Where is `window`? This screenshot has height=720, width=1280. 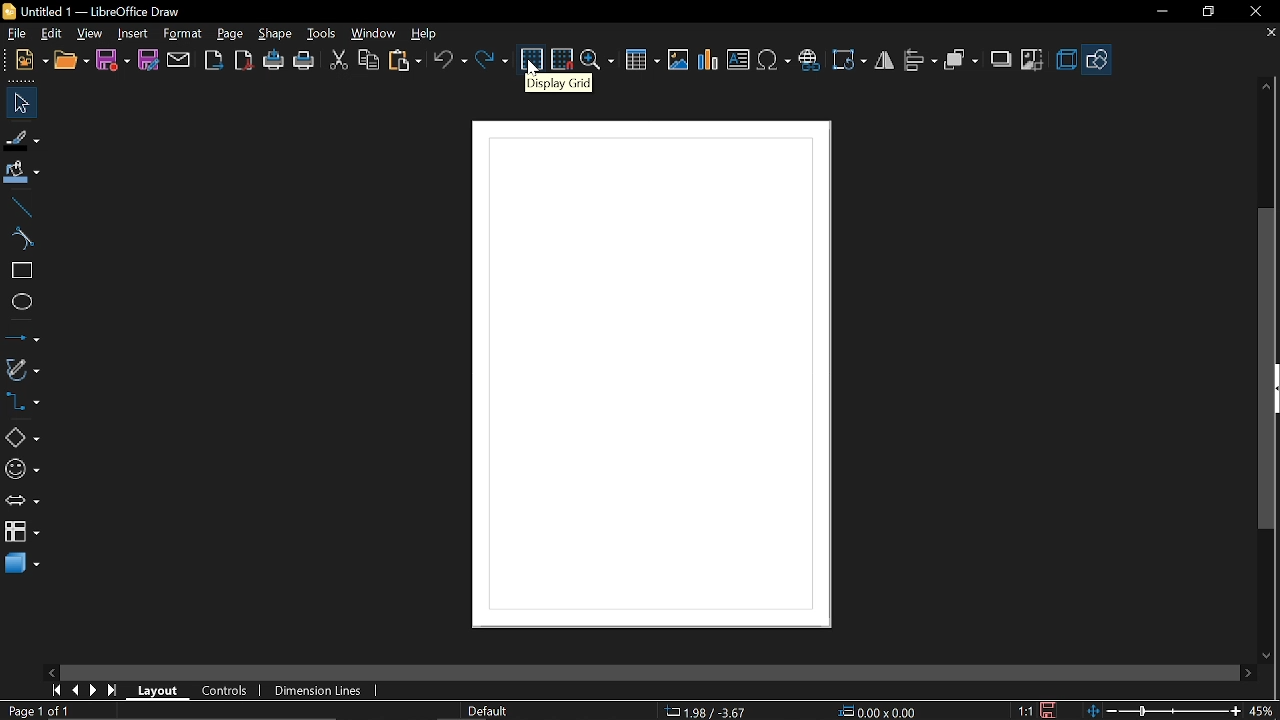 window is located at coordinates (375, 33).